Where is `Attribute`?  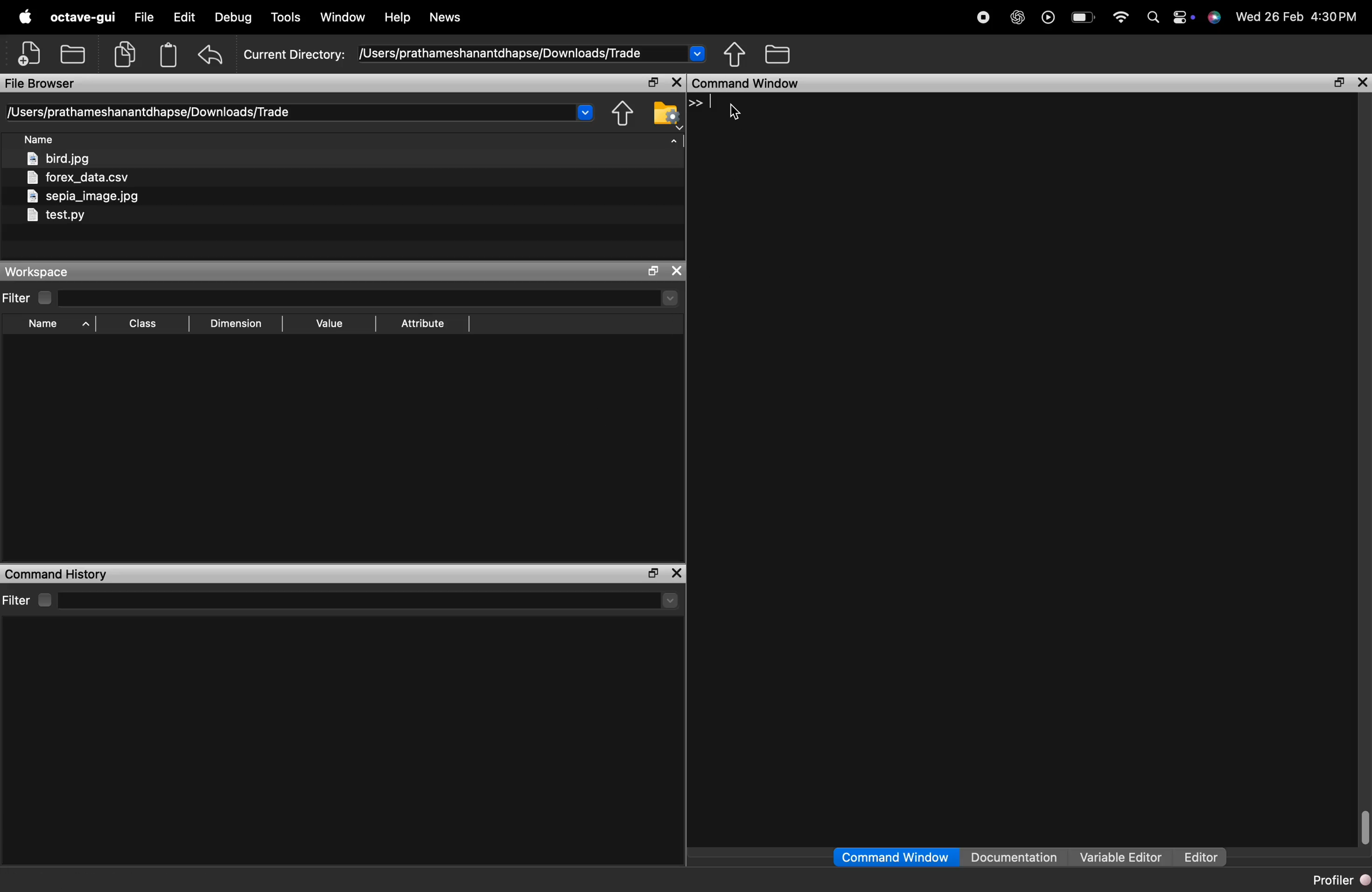
Attribute is located at coordinates (423, 324).